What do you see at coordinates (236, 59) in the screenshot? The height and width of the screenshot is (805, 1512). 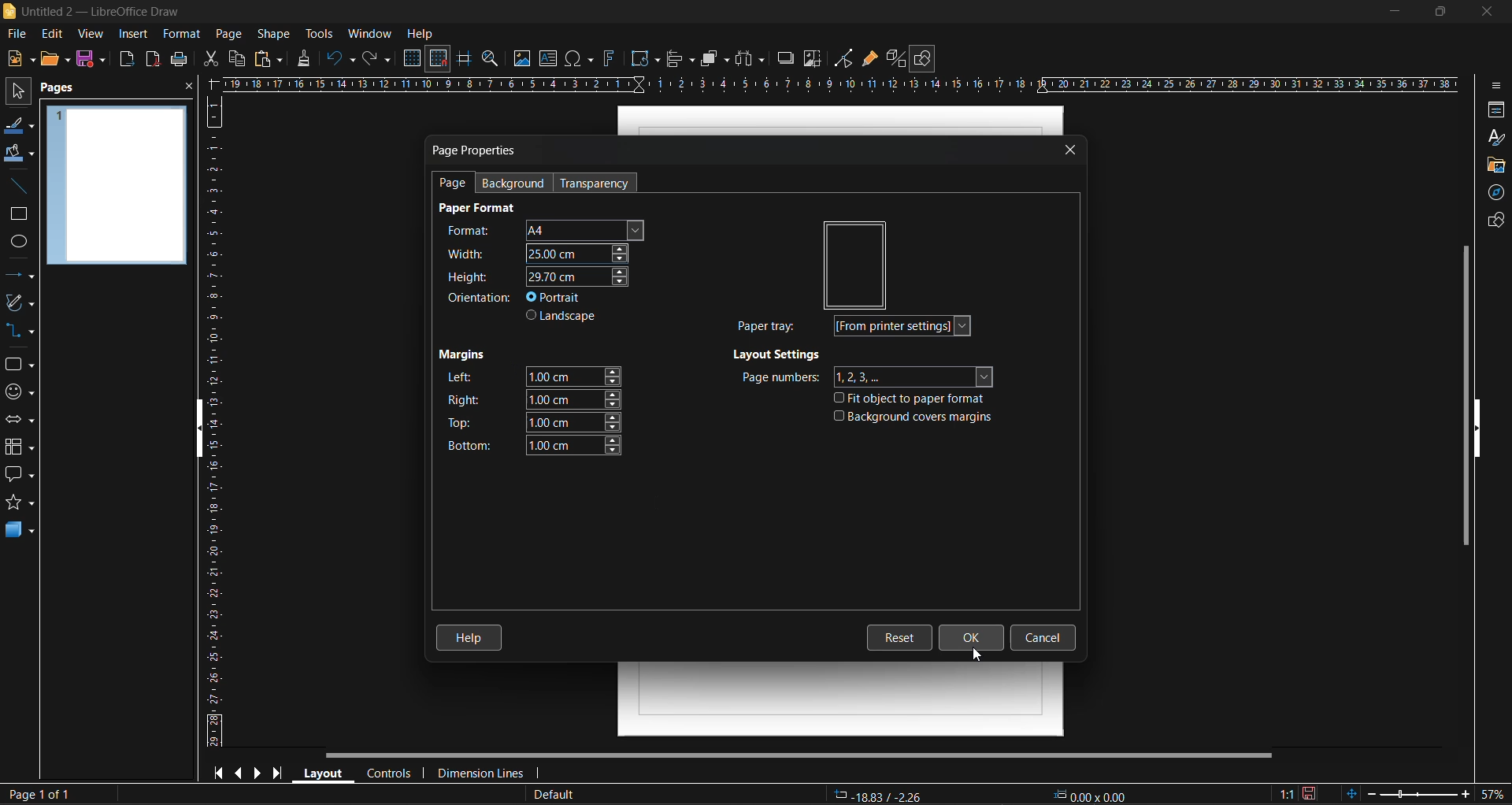 I see `copy` at bounding box center [236, 59].